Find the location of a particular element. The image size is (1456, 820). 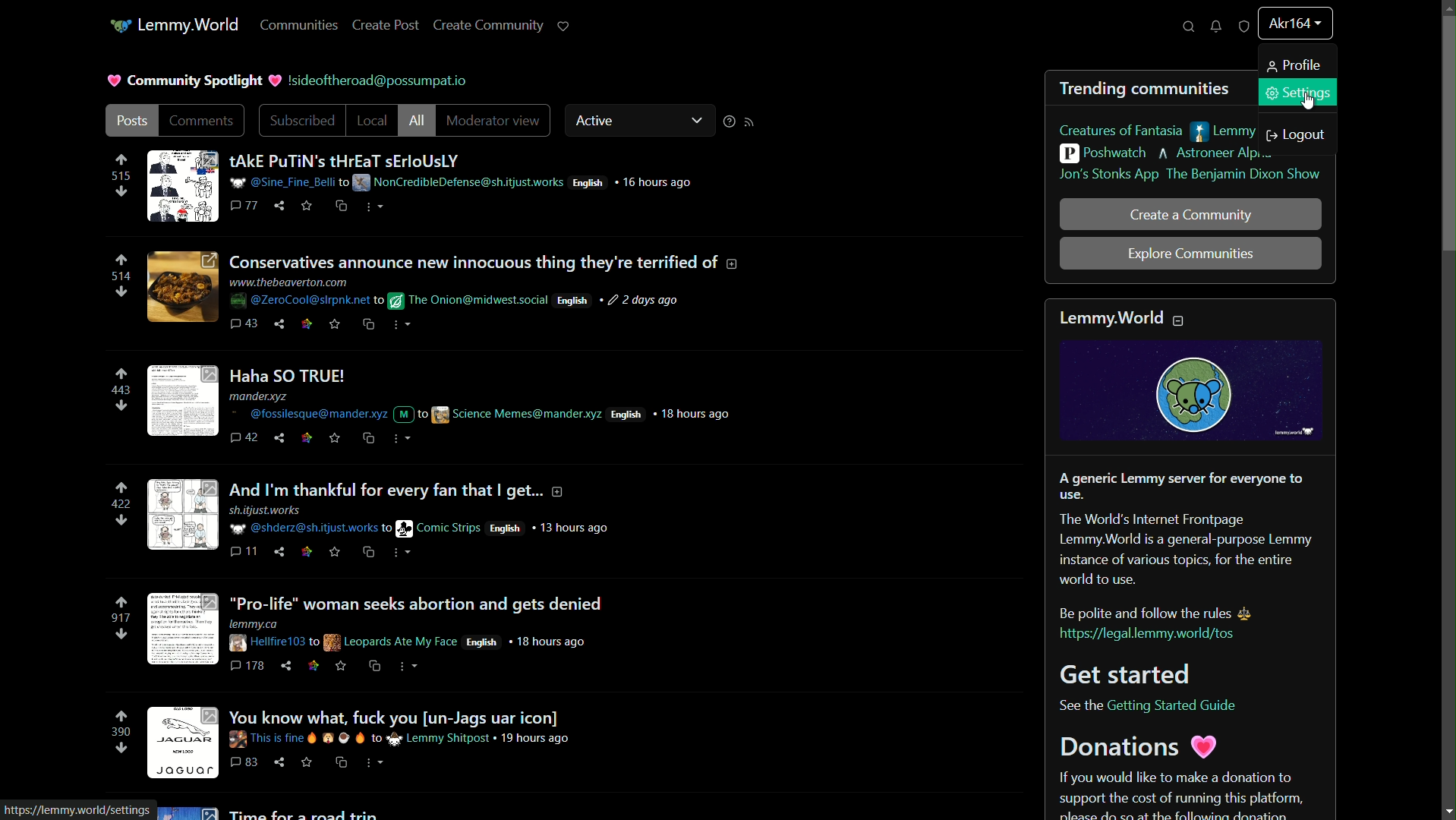

cursor is located at coordinates (1307, 106).